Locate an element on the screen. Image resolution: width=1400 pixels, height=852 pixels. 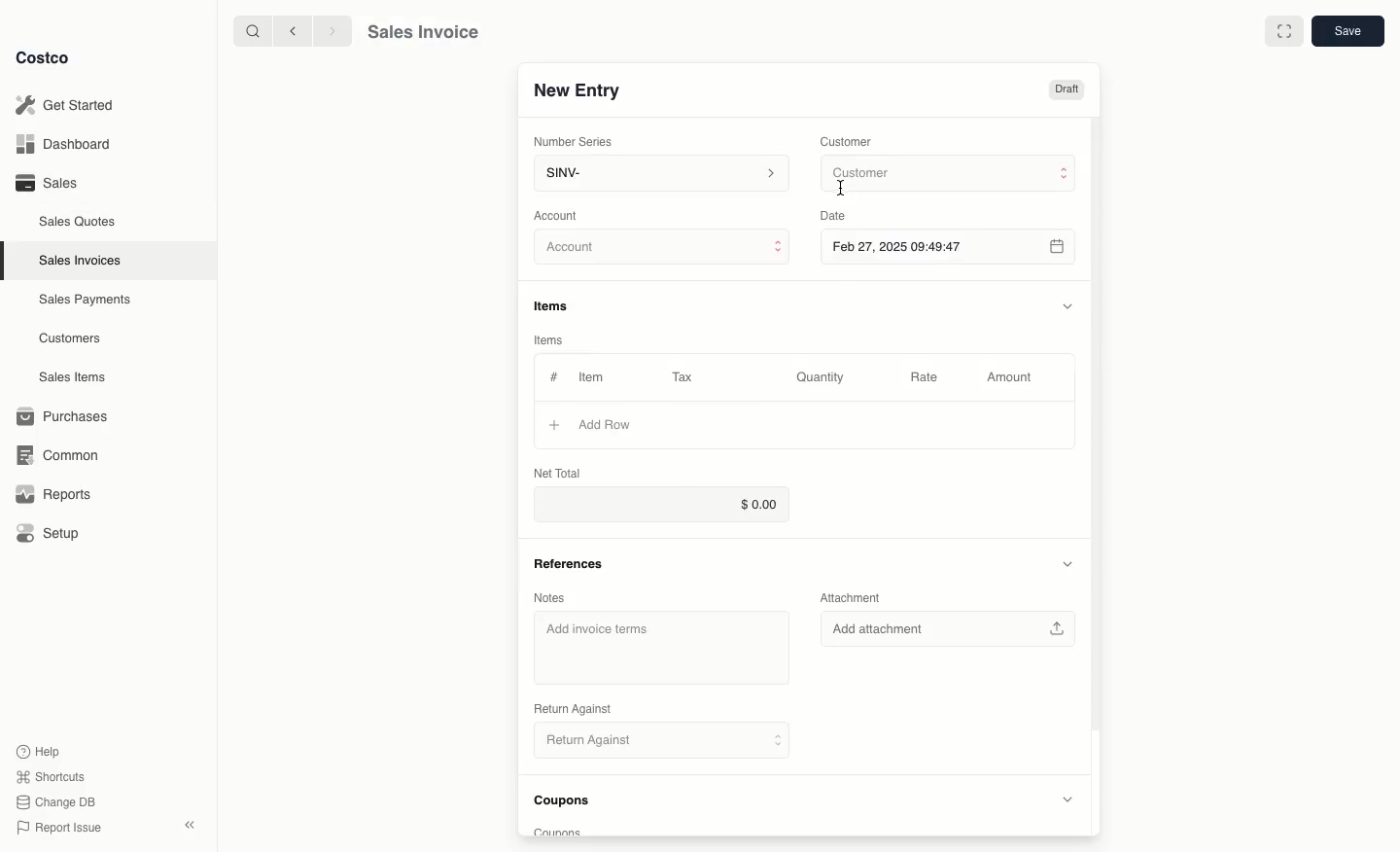
Purchases is located at coordinates (63, 416).